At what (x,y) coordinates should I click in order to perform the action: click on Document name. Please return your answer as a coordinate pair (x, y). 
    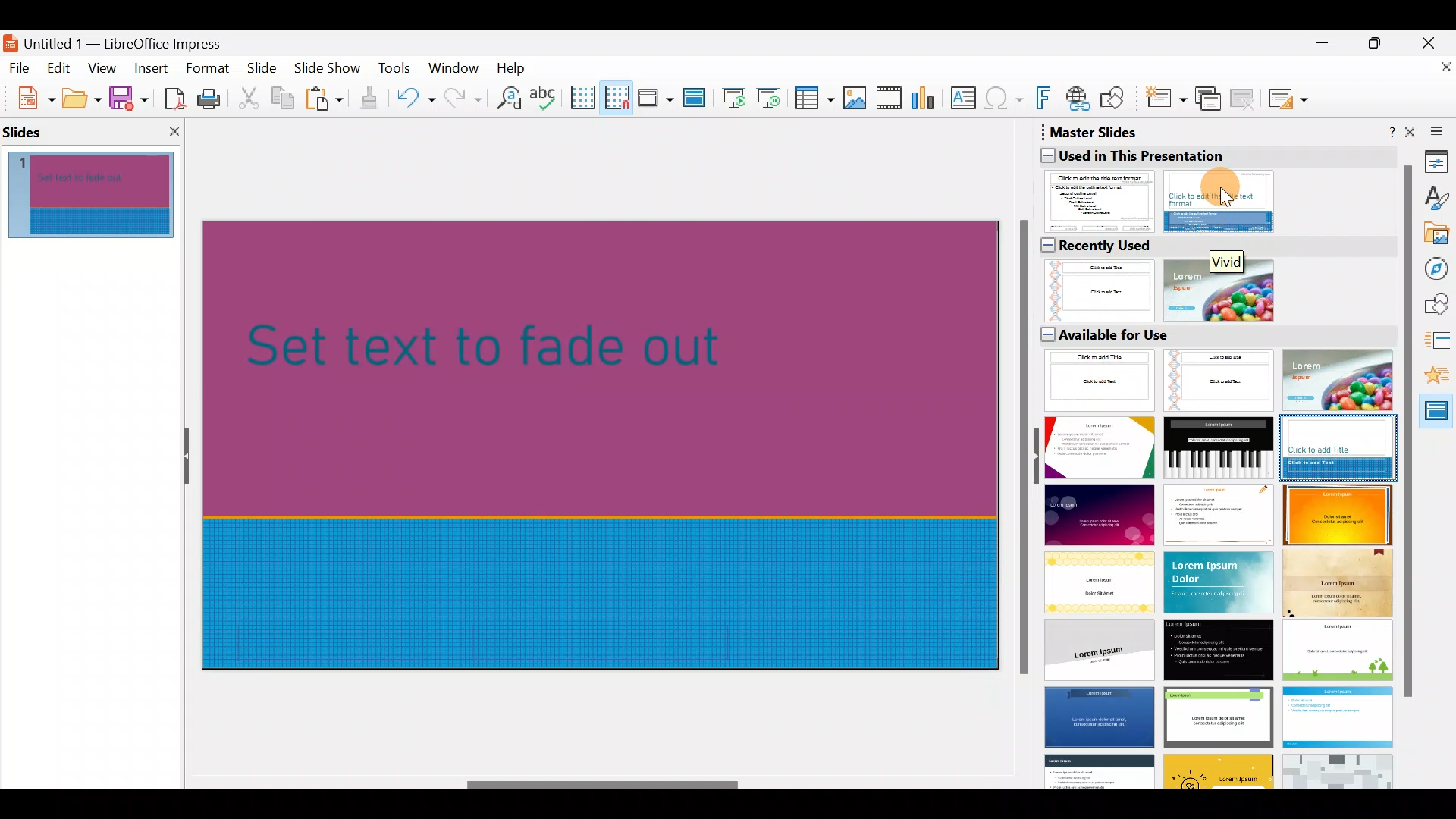
    Looking at the image, I should click on (124, 39).